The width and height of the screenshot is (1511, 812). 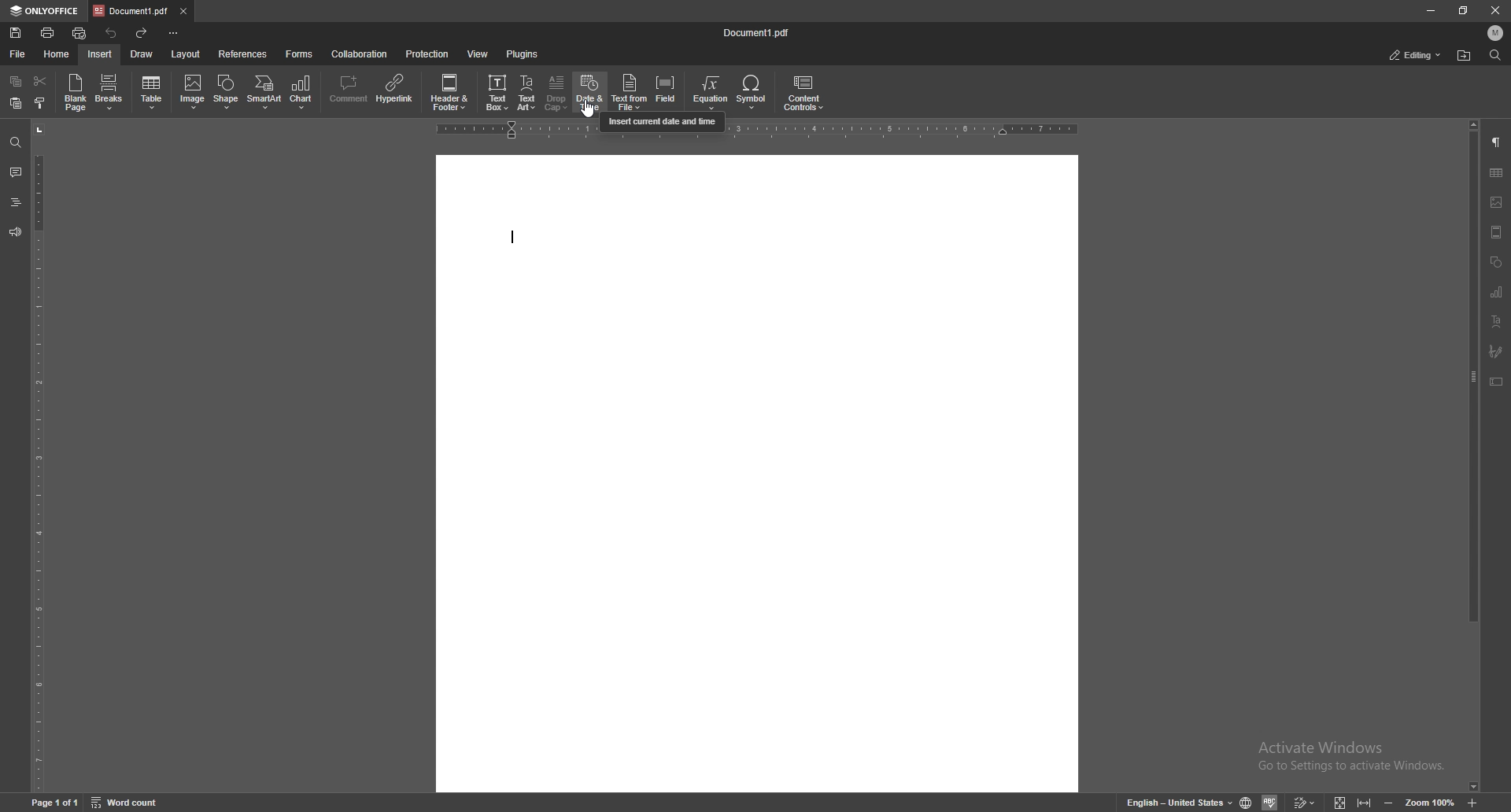 What do you see at coordinates (630, 89) in the screenshot?
I see `text from file` at bounding box center [630, 89].